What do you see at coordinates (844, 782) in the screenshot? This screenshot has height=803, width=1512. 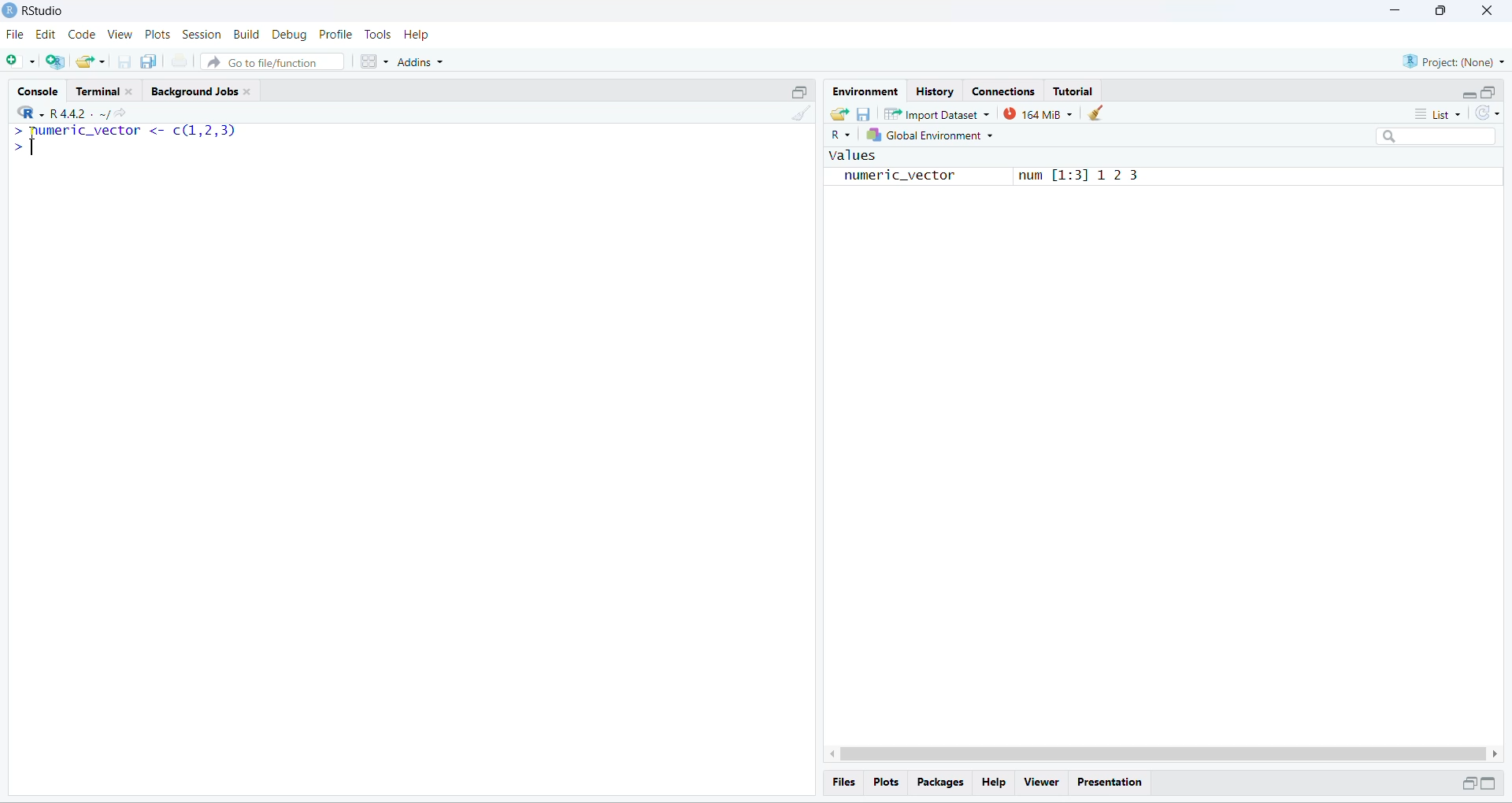 I see `Files` at bounding box center [844, 782].